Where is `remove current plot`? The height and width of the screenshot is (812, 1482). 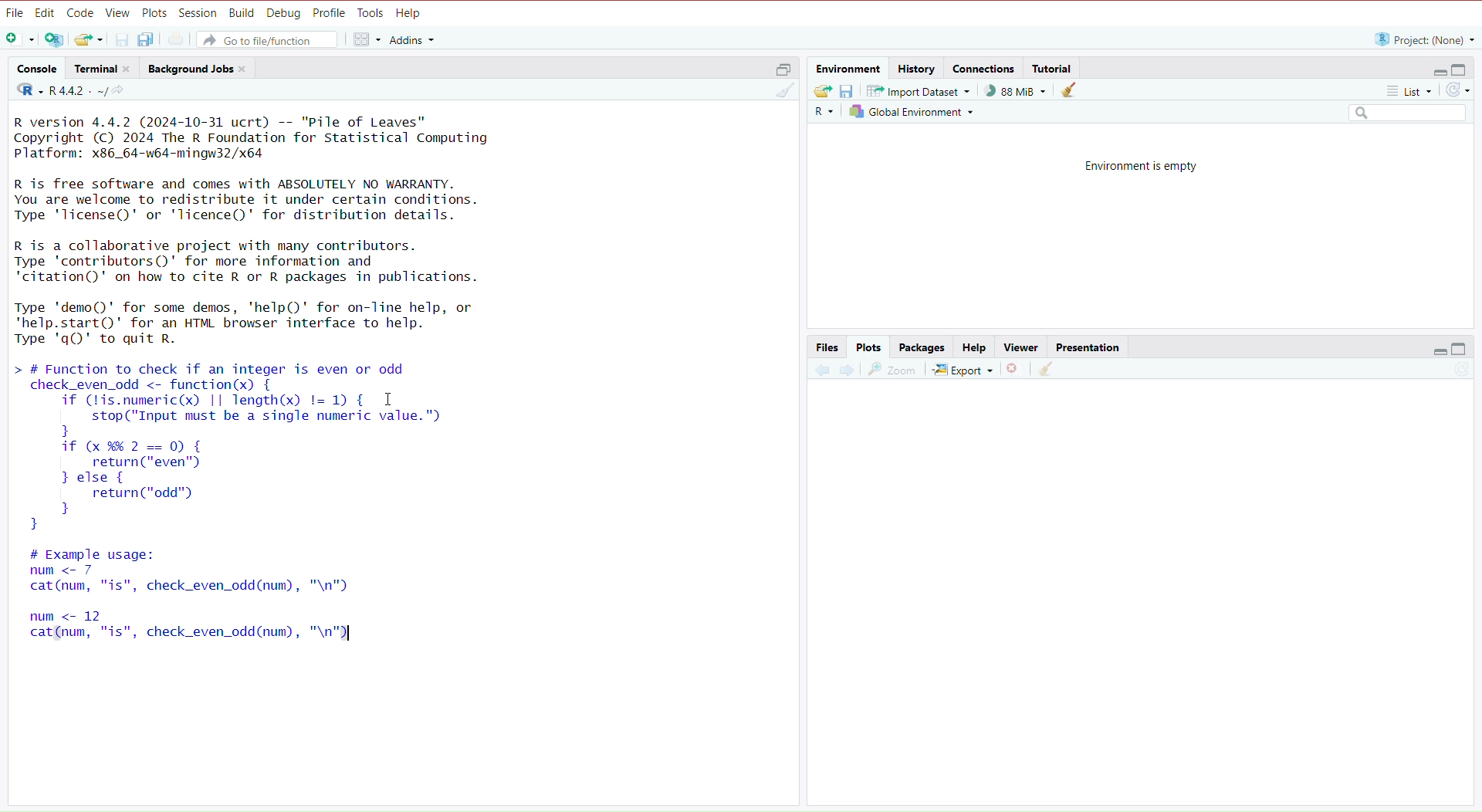 remove current plot is located at coordinates (1013, 371).